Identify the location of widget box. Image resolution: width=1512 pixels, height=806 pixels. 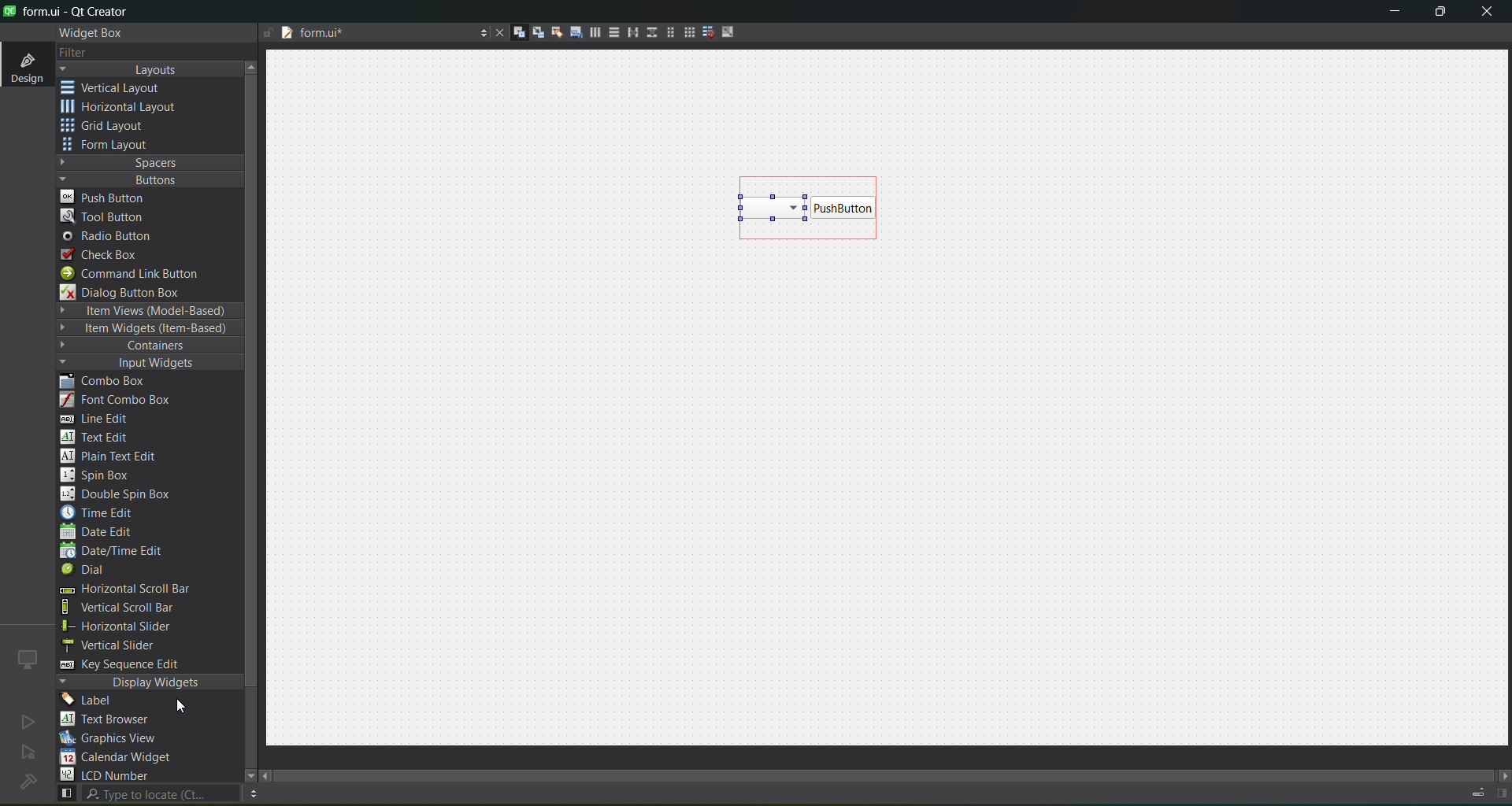
(94, 33).